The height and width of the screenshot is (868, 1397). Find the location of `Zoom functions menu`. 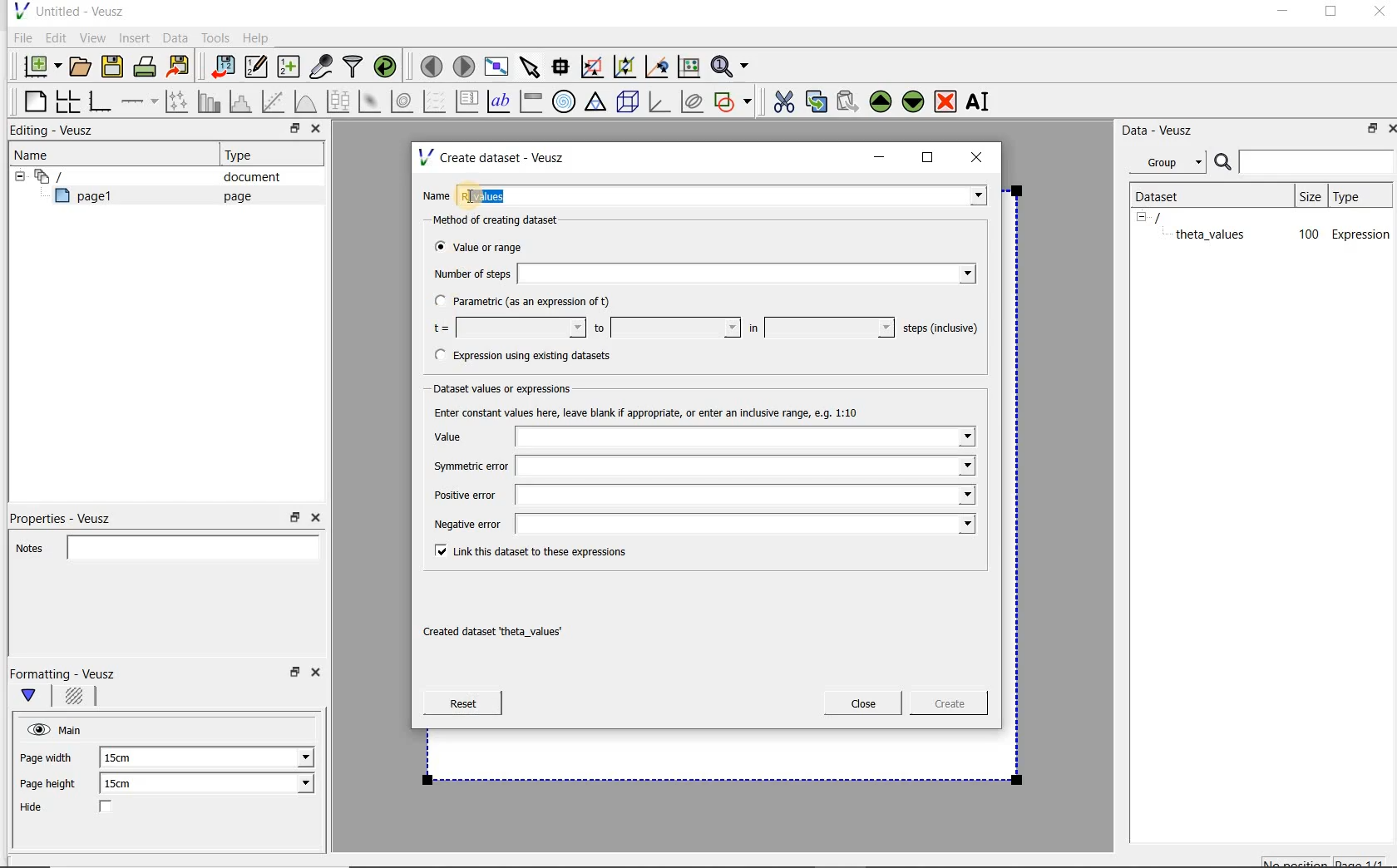

Zoom functions menu is located at coordinates (731, 62).